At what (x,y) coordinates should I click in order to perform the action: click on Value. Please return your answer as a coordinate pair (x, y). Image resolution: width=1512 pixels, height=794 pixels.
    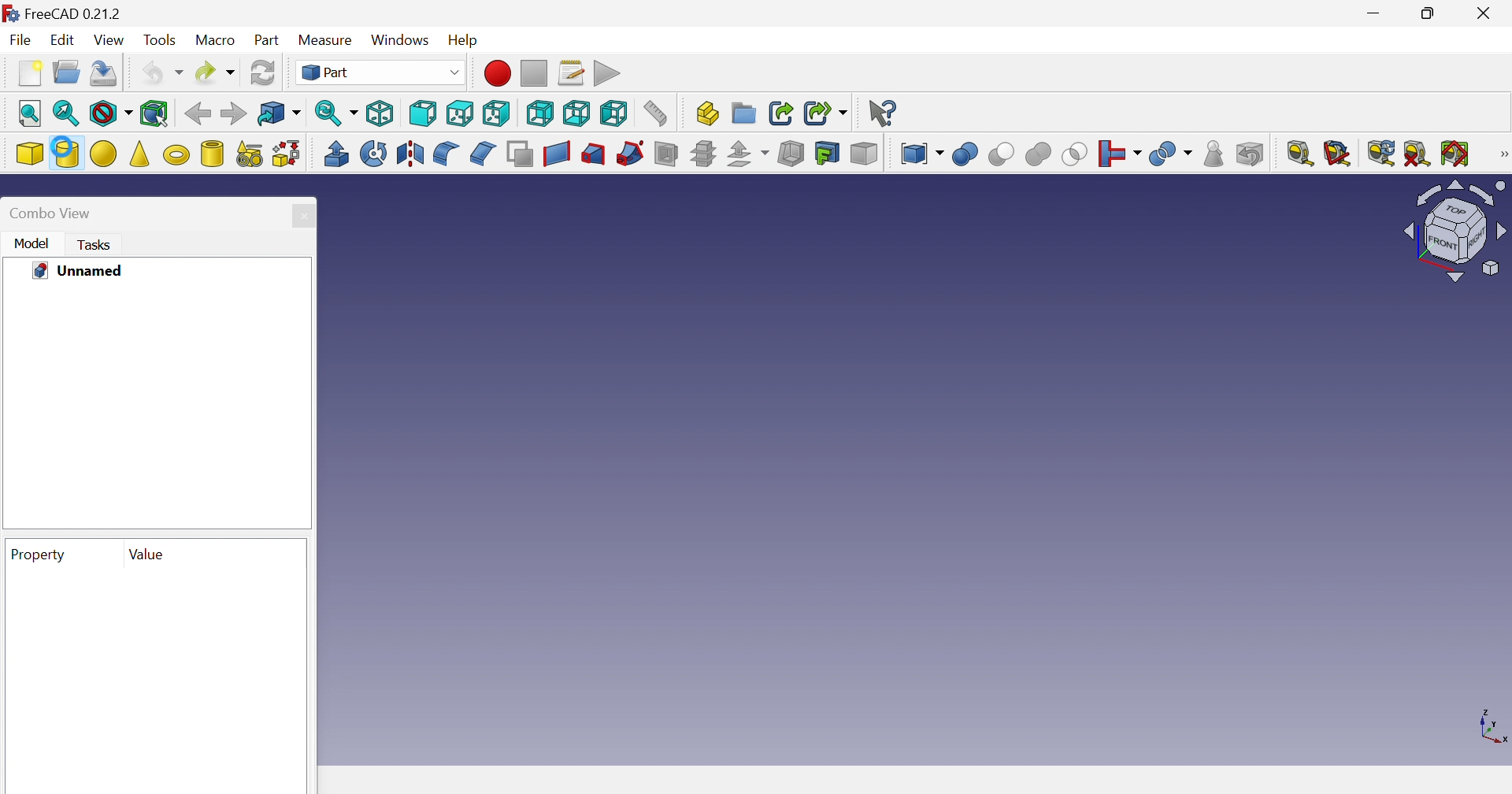
    Looking at the image, I should click on (143, 554).